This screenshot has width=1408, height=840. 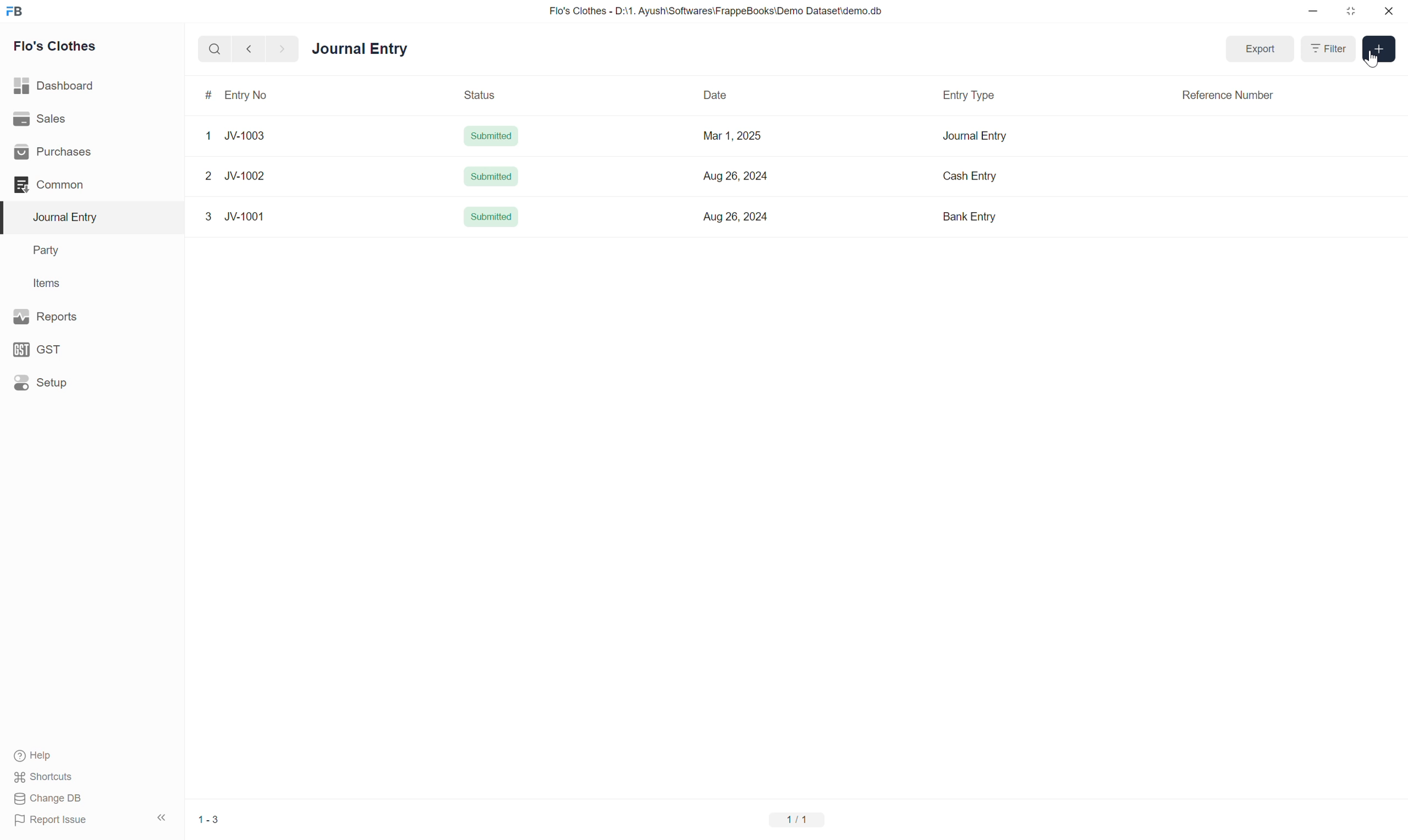 I want to click on Journal Entry, so click(x=70, y=217).